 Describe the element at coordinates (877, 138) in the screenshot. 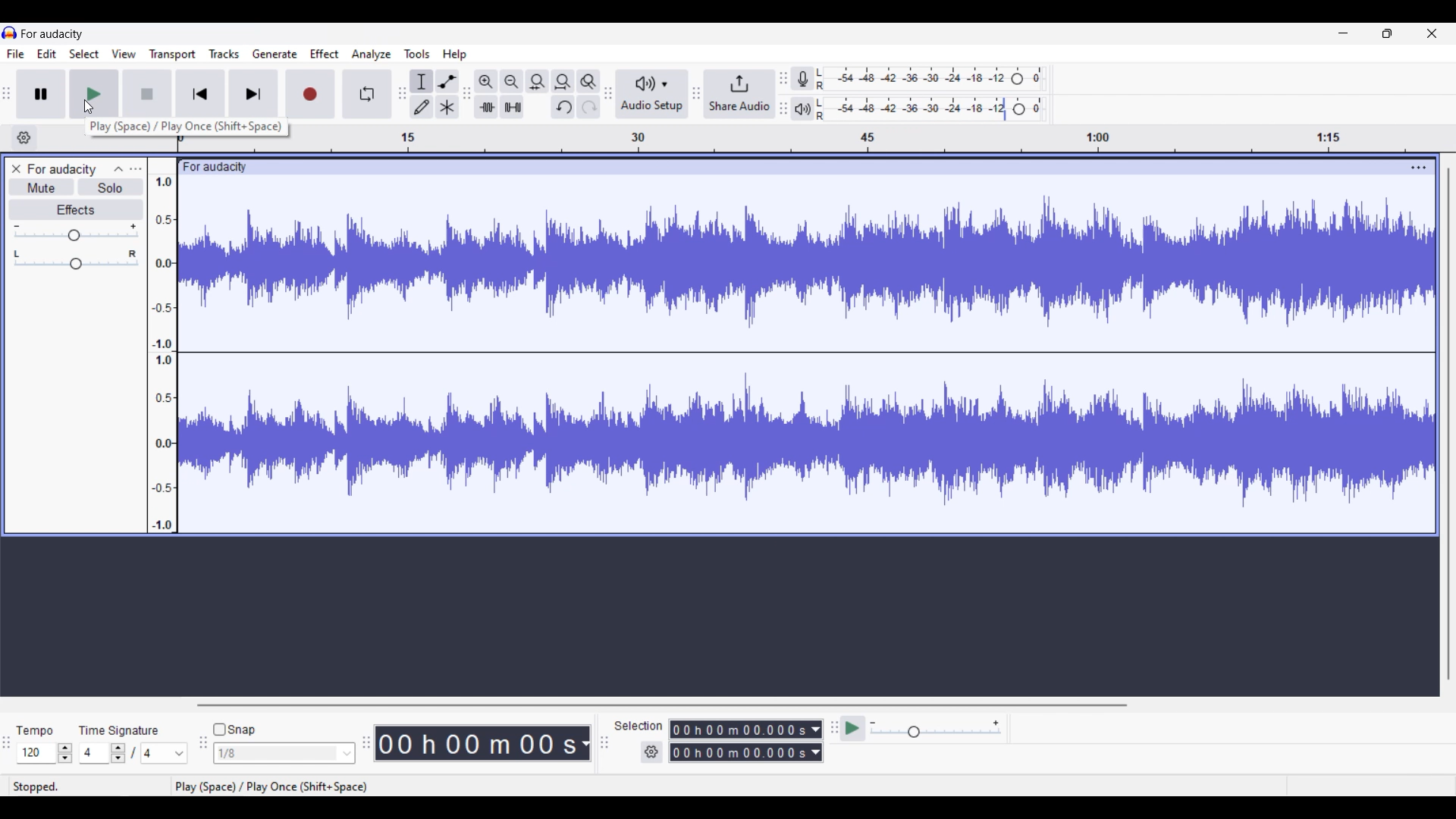

I see `Scale to measure length of track` at that location.